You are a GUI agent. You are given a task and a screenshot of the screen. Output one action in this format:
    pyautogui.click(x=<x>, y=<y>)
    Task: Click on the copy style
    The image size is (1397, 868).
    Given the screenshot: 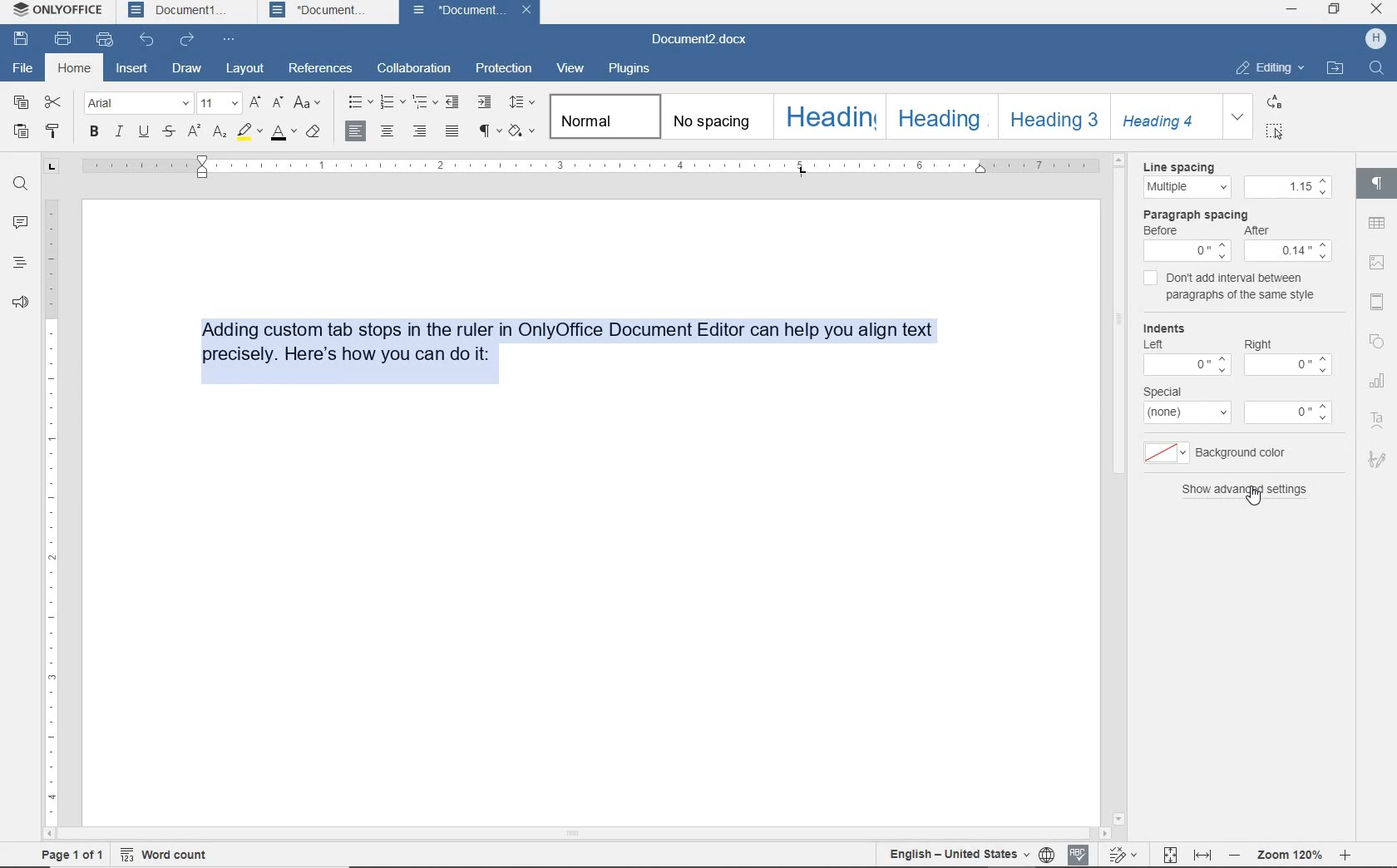 What is the action you would take?
    pyautogui.click(x=51, y=131)
    